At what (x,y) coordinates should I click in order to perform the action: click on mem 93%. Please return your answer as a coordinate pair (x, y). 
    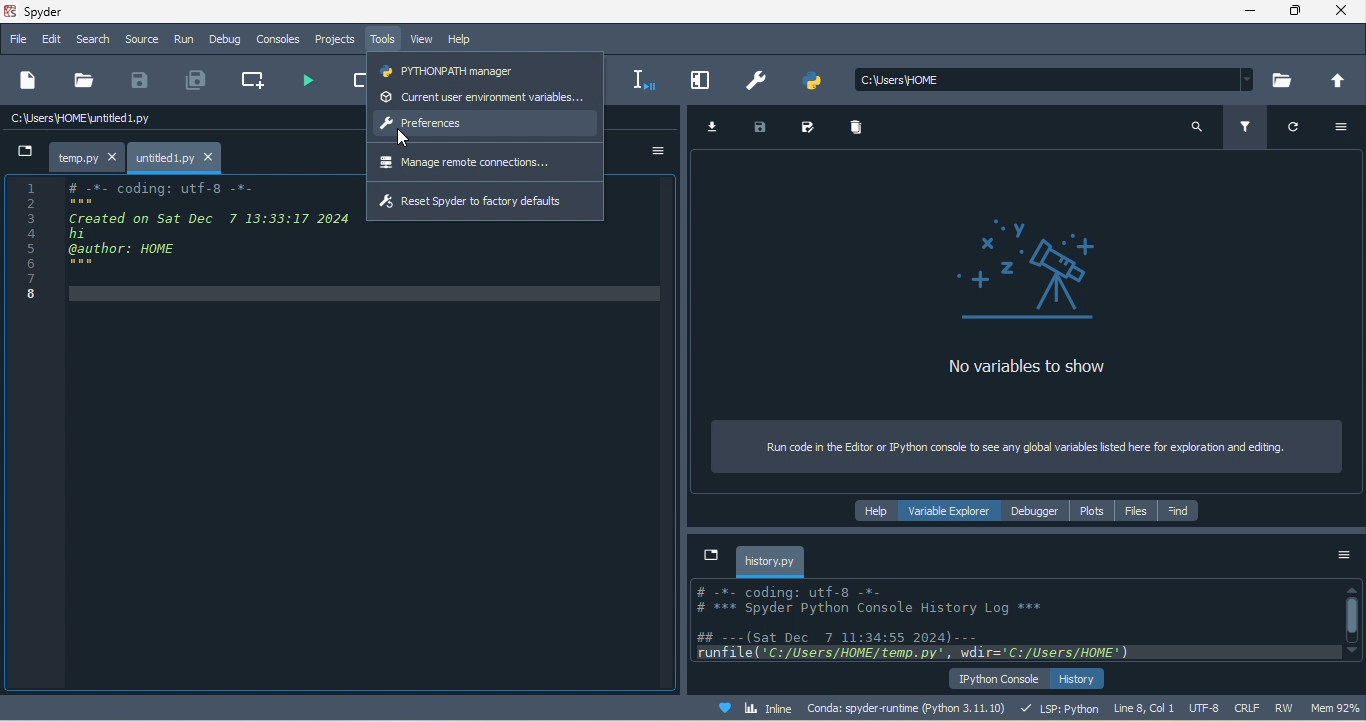
    Looking at the image, I should click on (1337, 708).